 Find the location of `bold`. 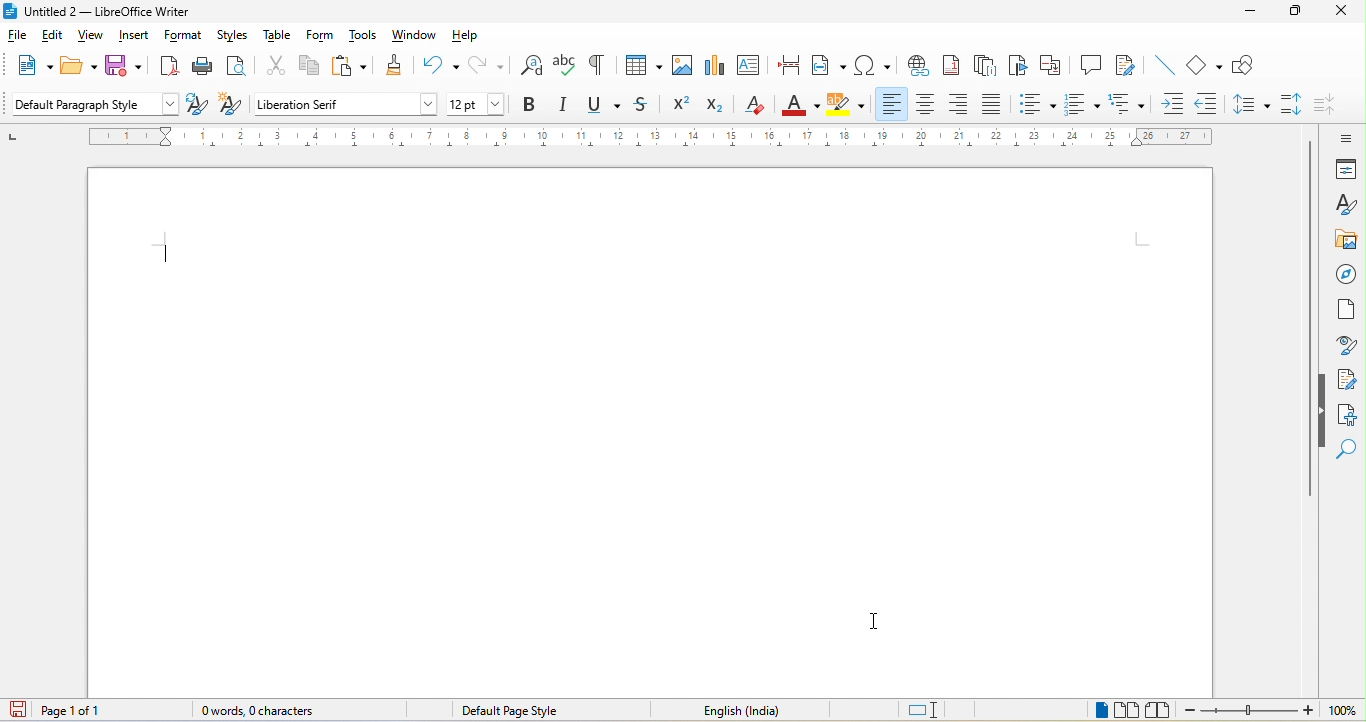

bold is located at coordinates (532, 107).